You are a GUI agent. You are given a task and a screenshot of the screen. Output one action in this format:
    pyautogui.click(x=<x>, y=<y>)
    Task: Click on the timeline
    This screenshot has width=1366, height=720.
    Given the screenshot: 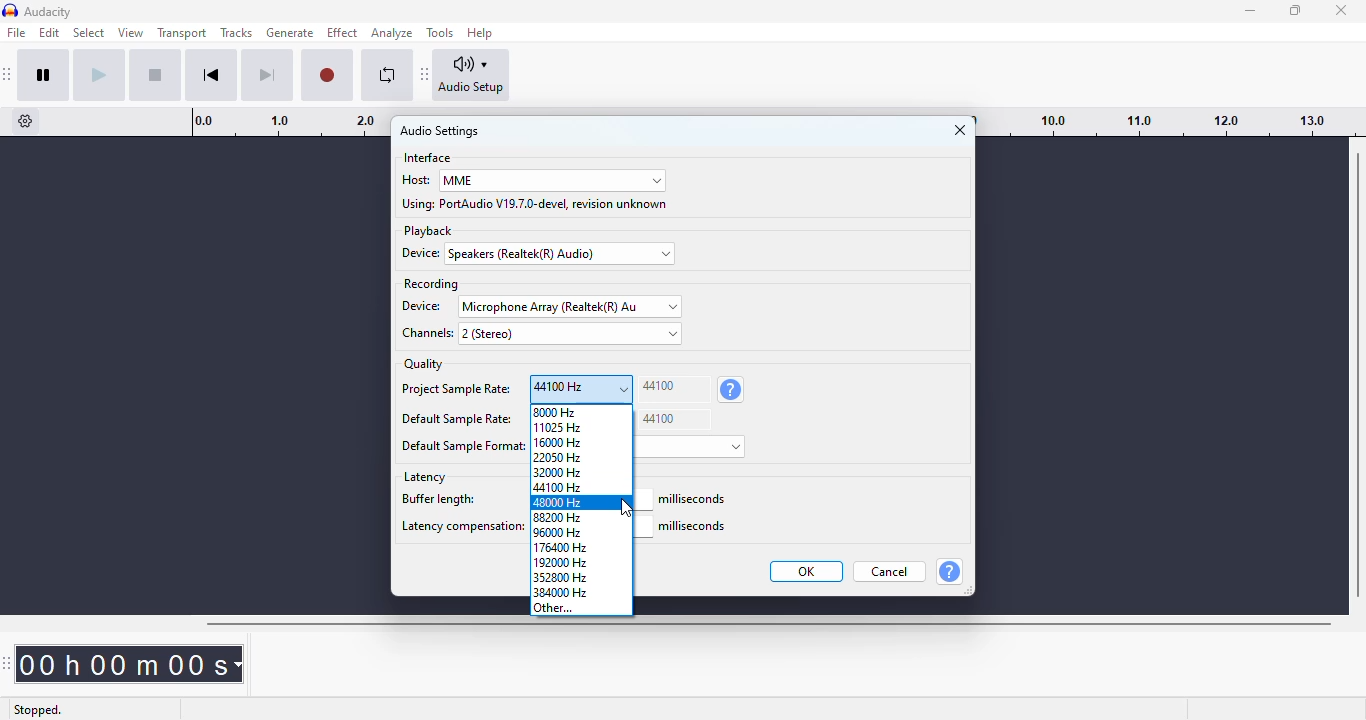 What is the action you would take?
    pyautogui.click(x=1171, y=121)
    